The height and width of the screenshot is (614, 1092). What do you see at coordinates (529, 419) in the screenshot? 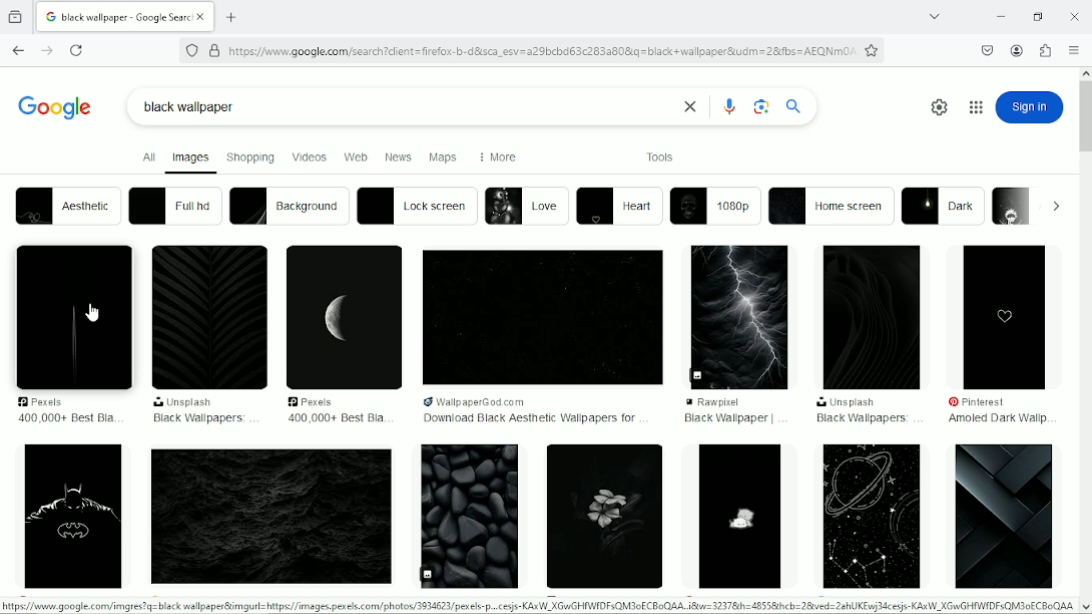
I see `download black aesthetic wallpapers for` at bounding box center [529, 419].